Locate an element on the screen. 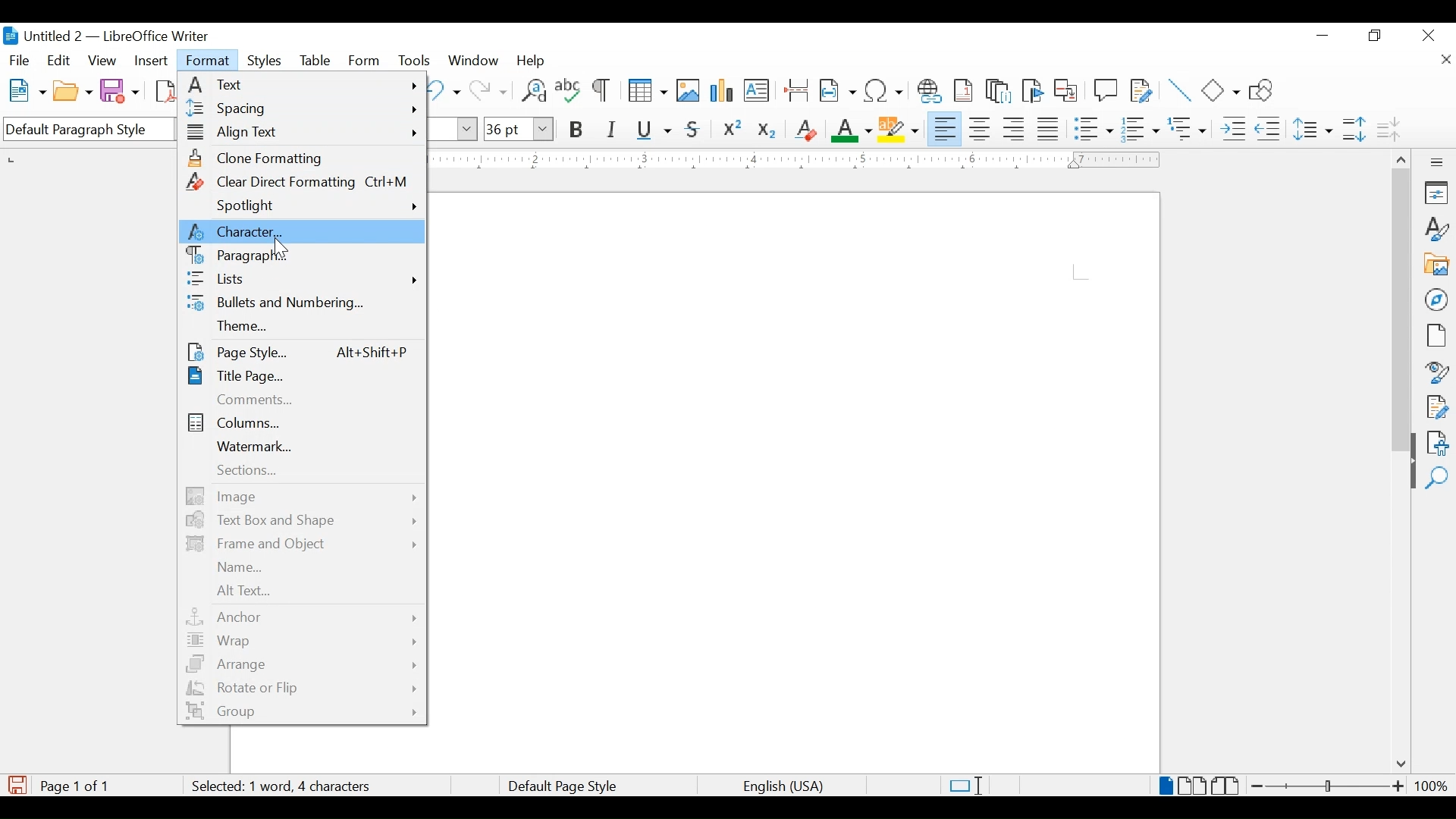 Image resolution: width=1456 pixels, height=819 pixels. clear direct formatting is located at coordinates (805, 130).